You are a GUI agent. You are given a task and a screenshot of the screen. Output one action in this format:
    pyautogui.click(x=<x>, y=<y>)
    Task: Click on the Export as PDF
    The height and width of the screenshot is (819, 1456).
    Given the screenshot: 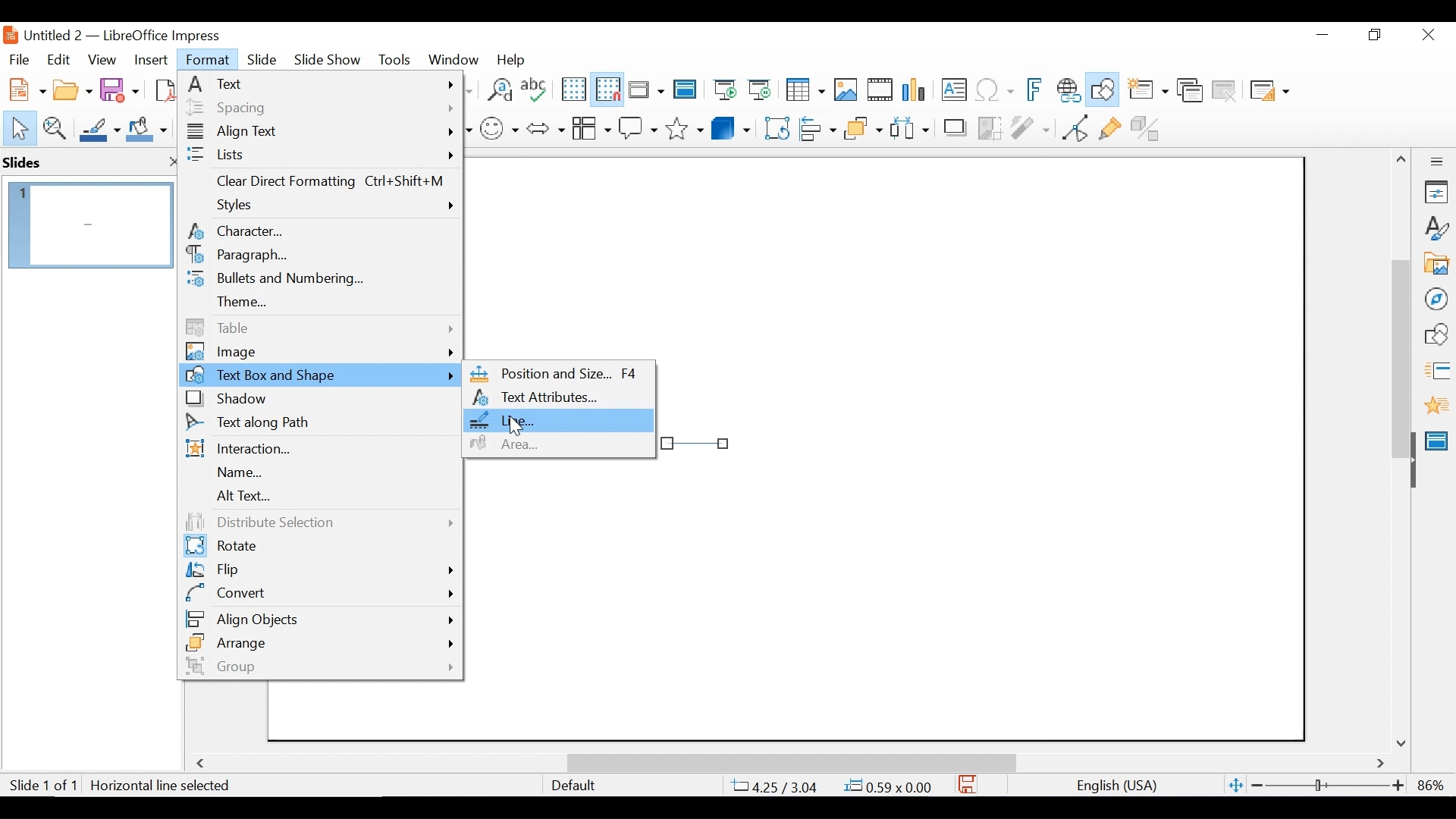 What is the action you would take?
    pyautogui.click(x=163, y=88)
    